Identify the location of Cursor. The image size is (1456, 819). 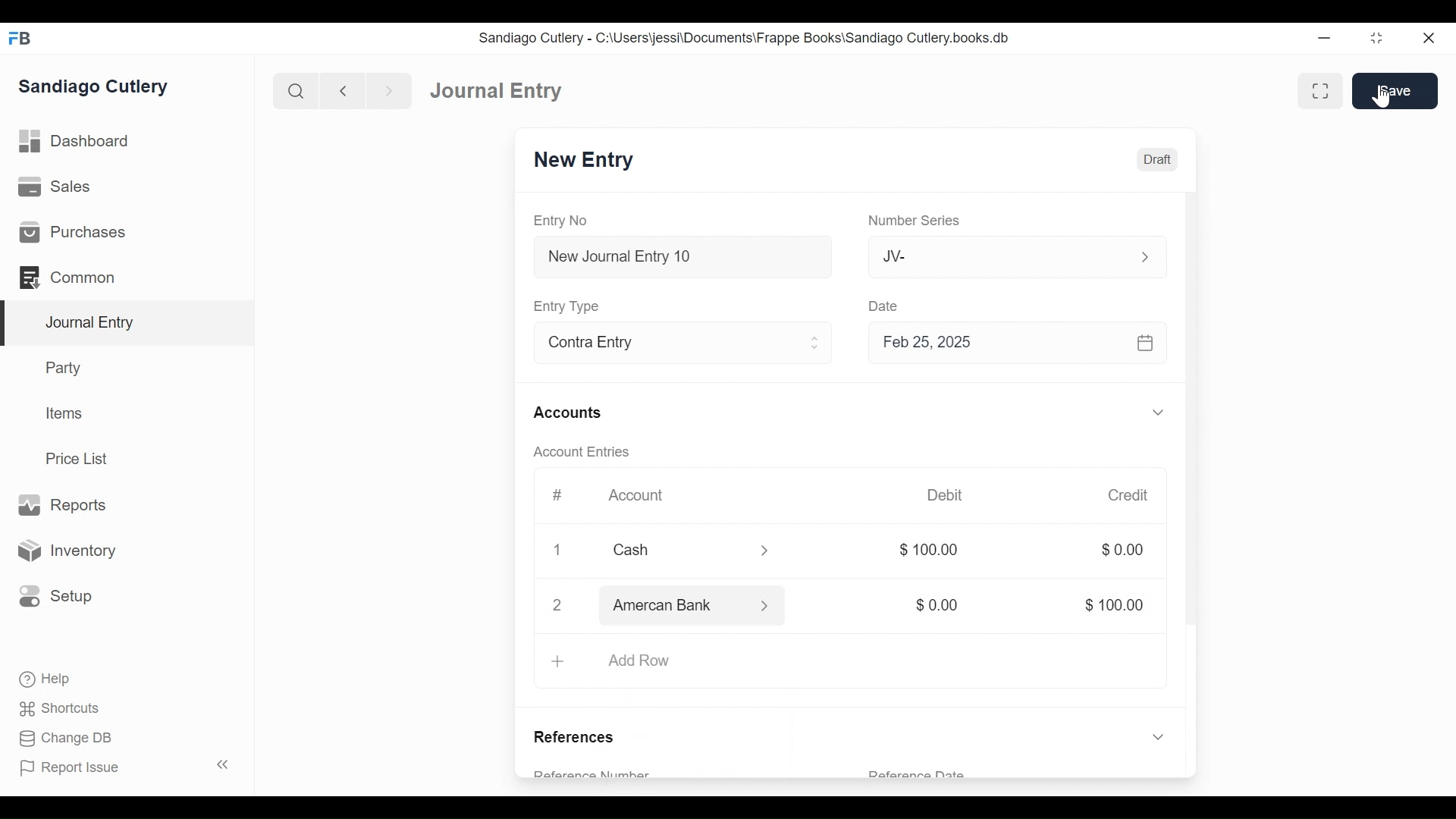
(1383, 94).